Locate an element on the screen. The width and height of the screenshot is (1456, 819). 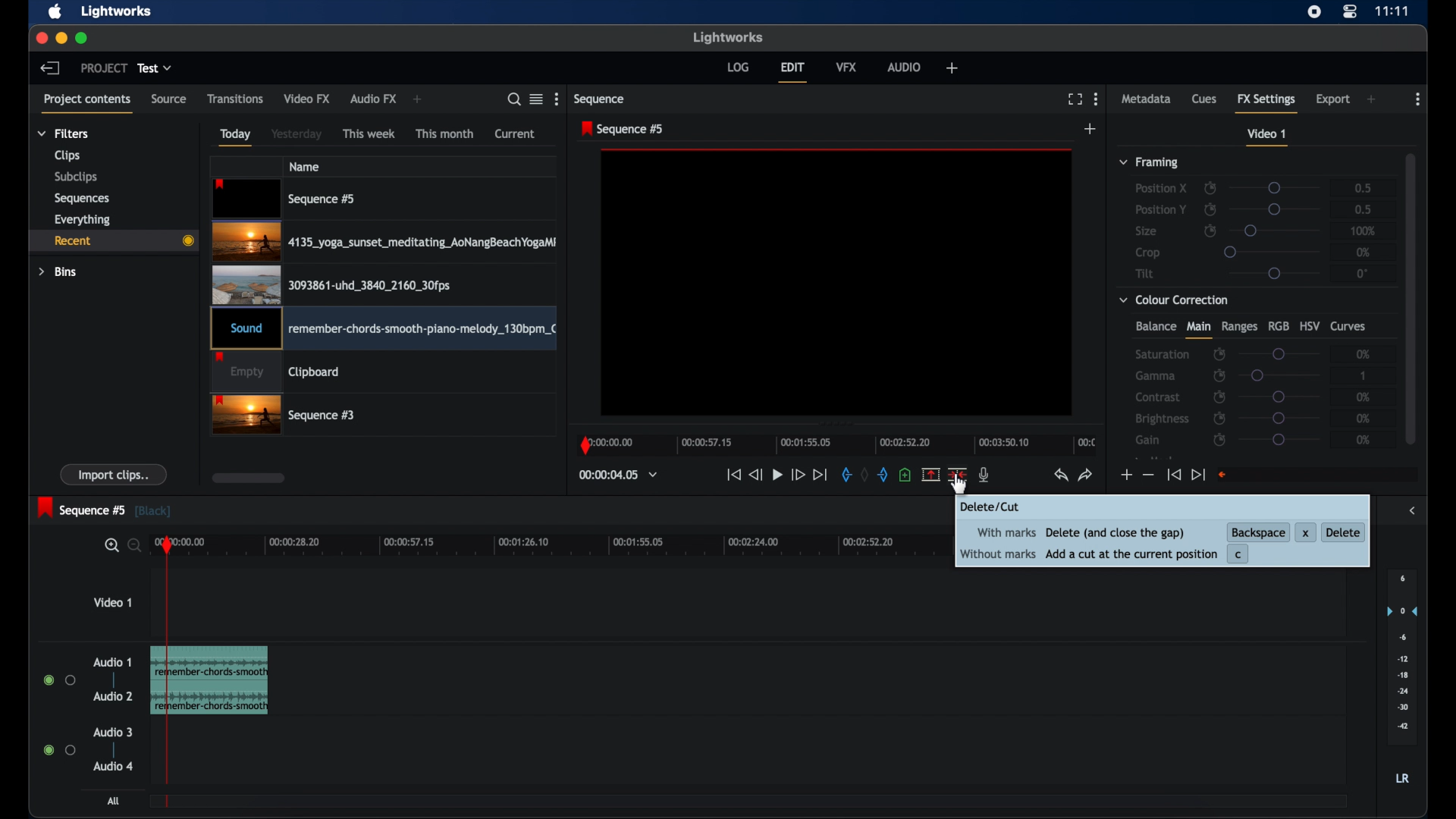
audio clip is located at coordinates (231, 680).